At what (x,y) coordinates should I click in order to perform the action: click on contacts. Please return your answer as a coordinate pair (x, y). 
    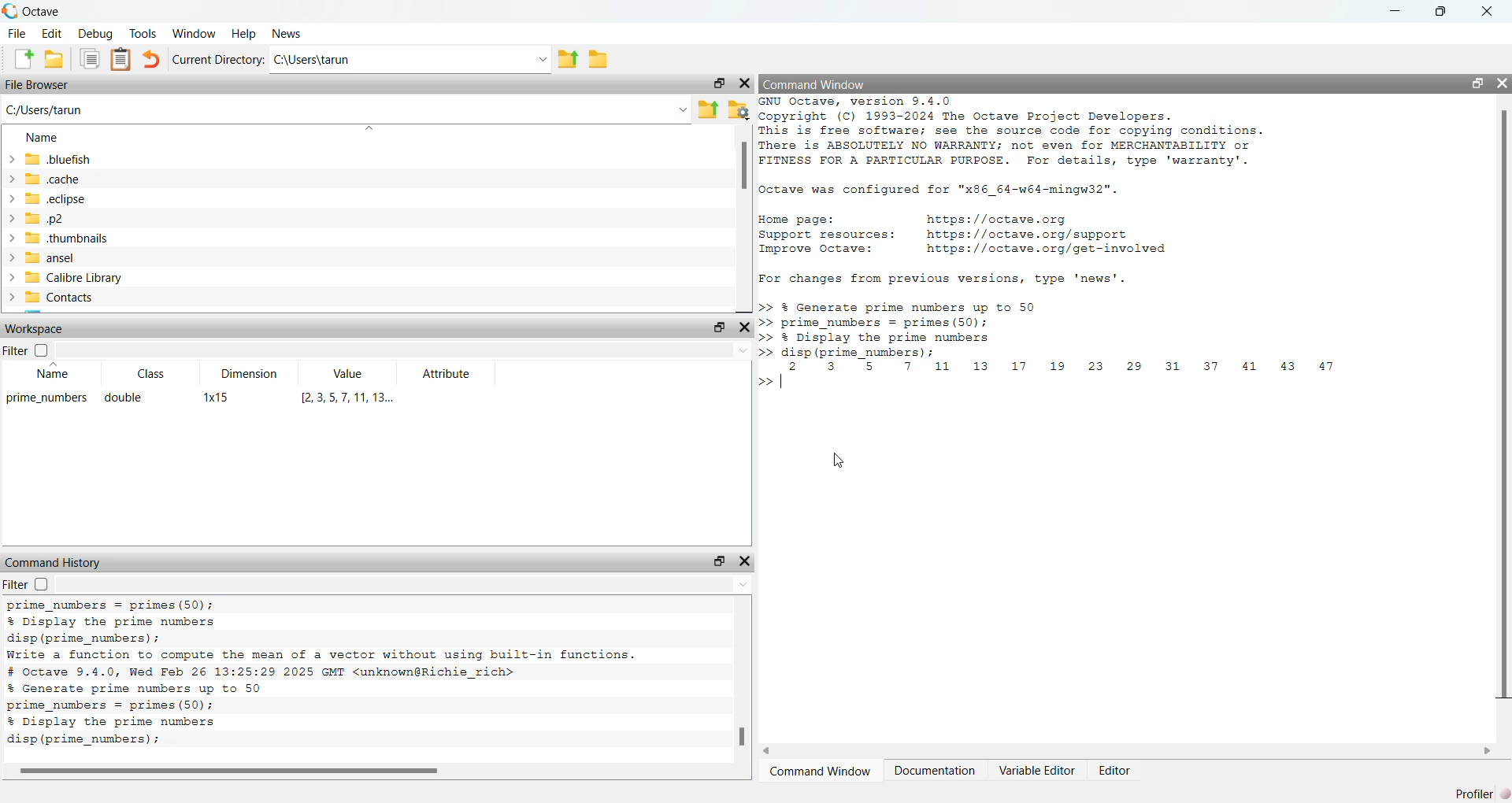
    Looking at the image, I should click on (61, 297).